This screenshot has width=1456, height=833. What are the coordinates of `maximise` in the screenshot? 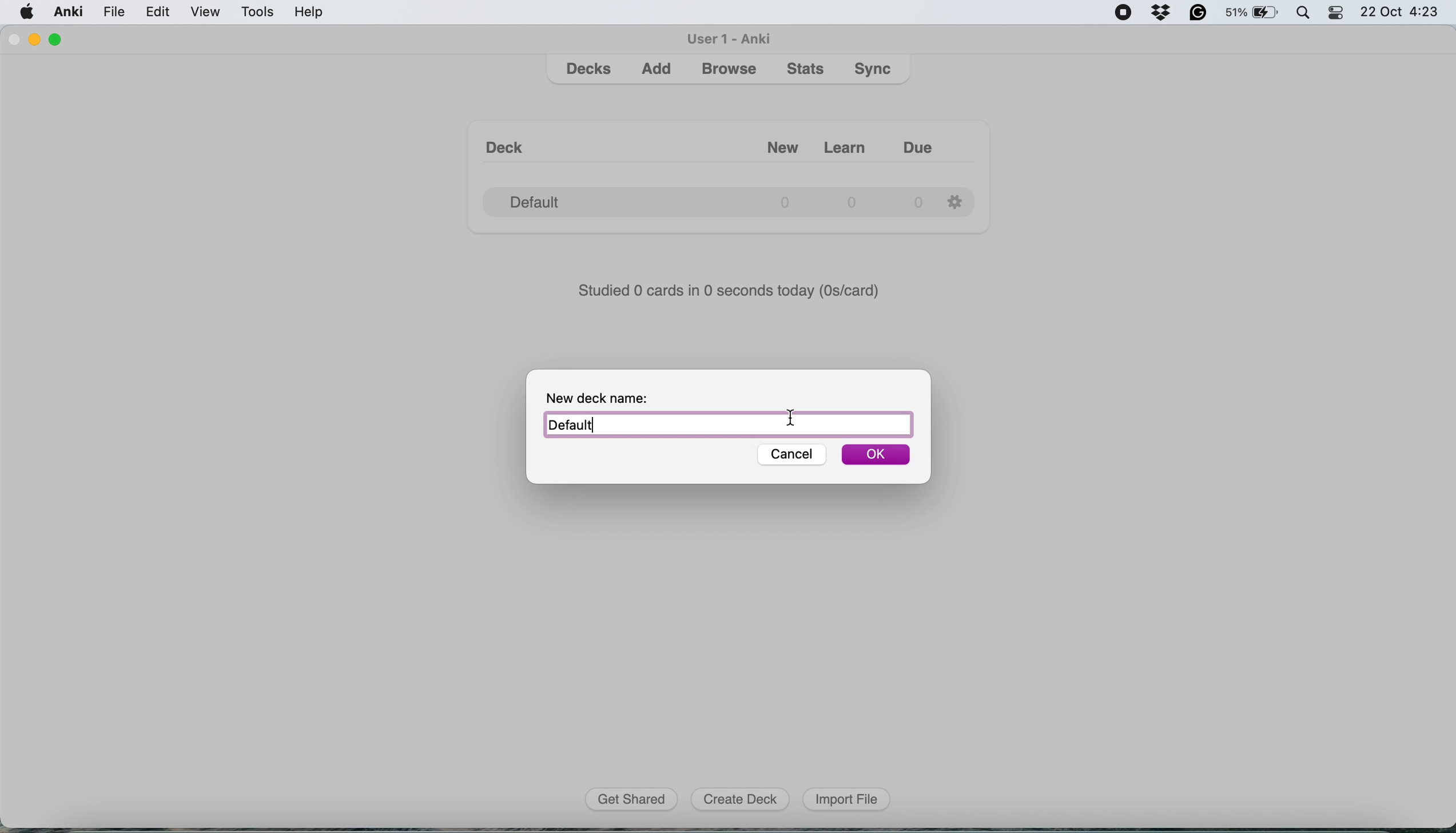 It's located at (60, 37).